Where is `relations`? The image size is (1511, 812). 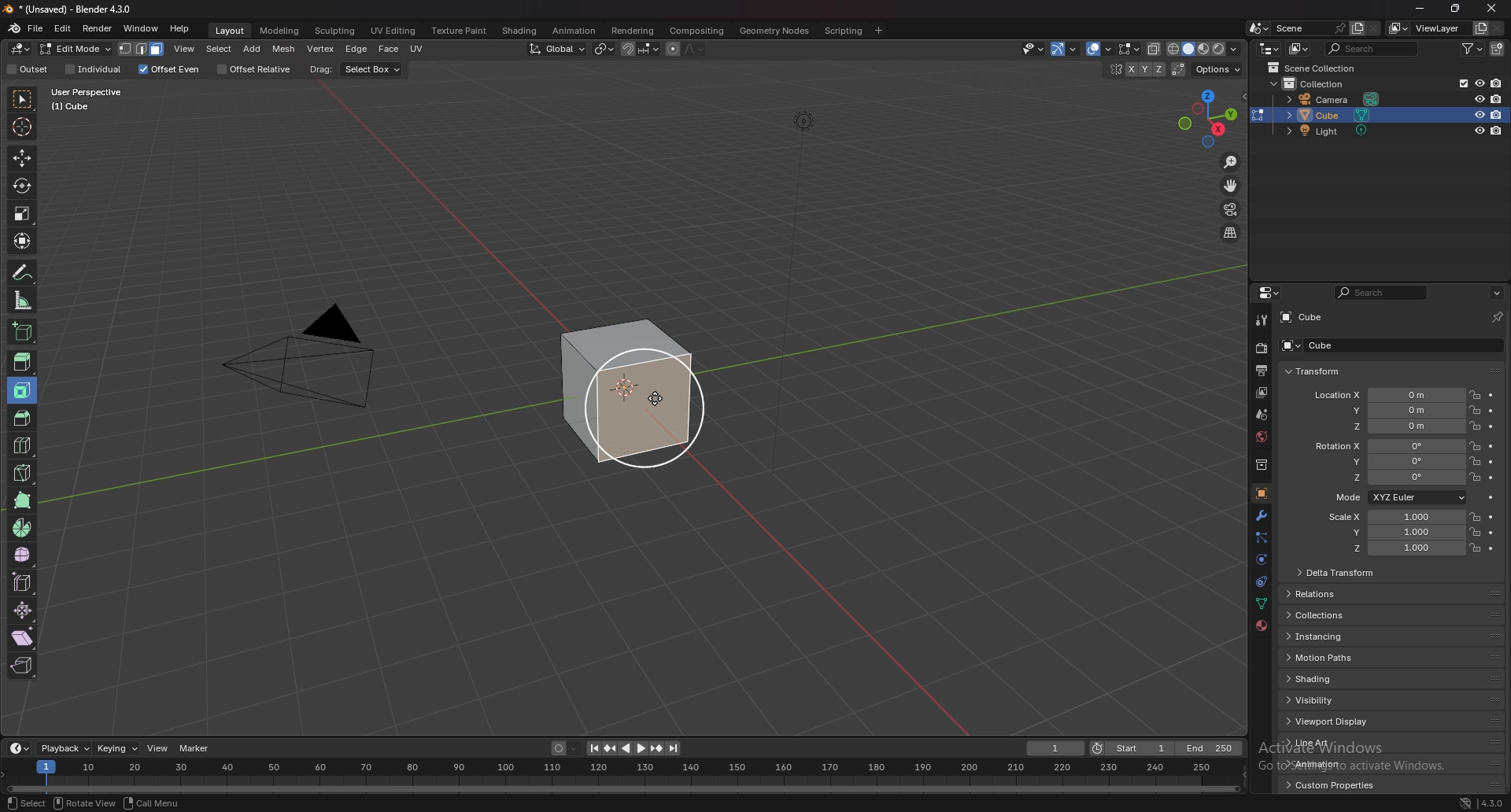 relations is located at coordinates (1320, 594).